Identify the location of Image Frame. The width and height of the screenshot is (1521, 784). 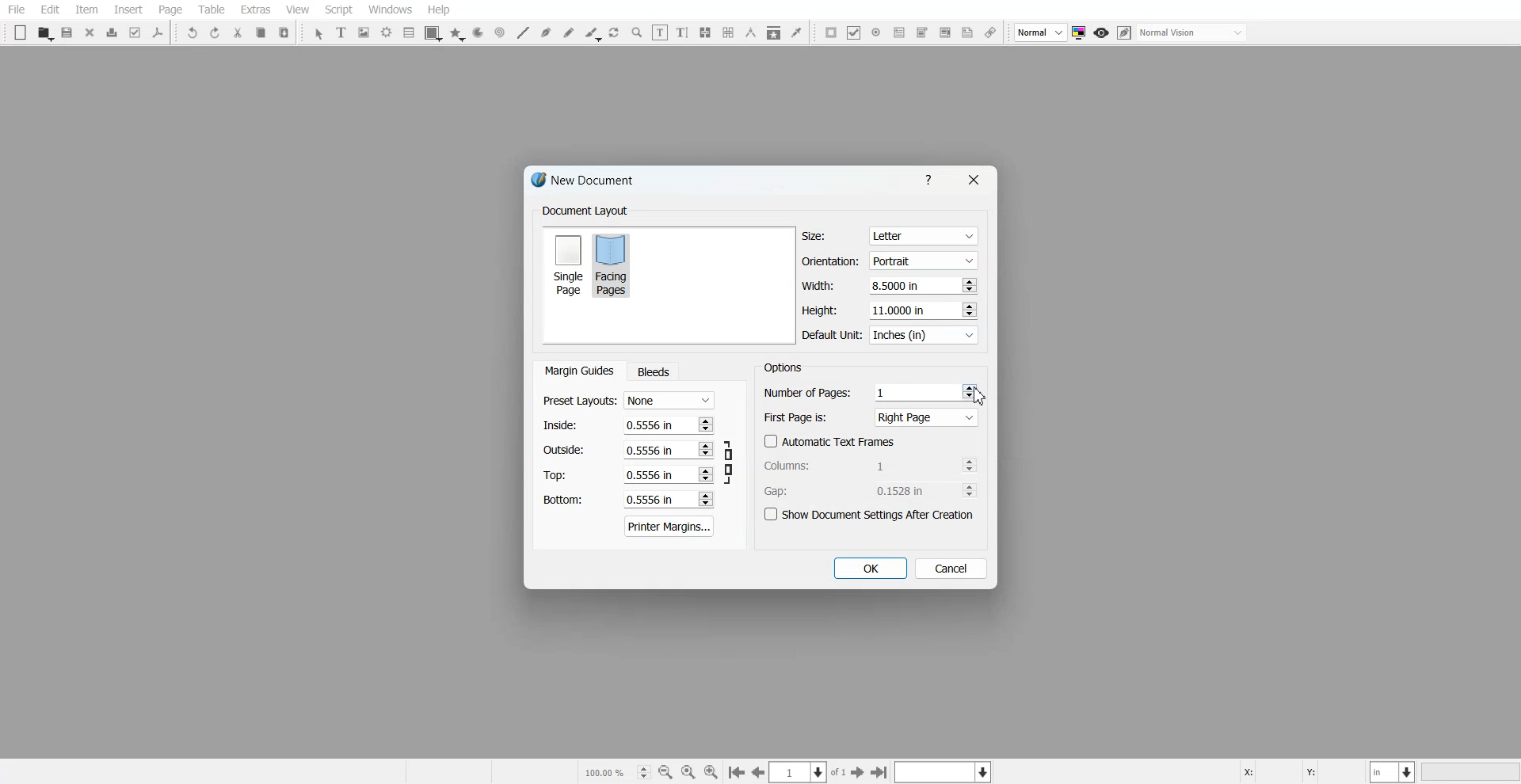
(364, 32).